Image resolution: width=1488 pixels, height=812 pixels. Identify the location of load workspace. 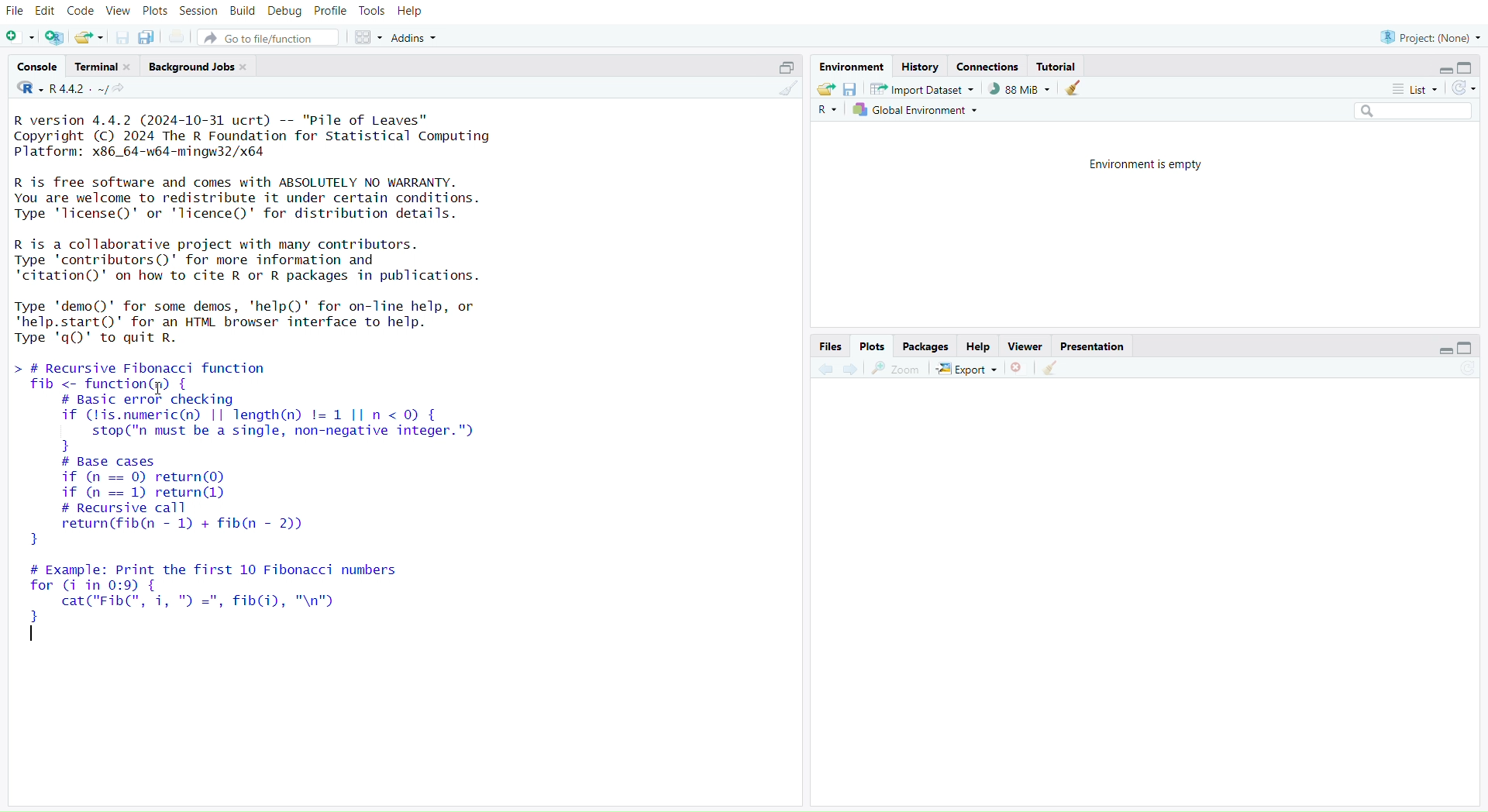
(825, 88).